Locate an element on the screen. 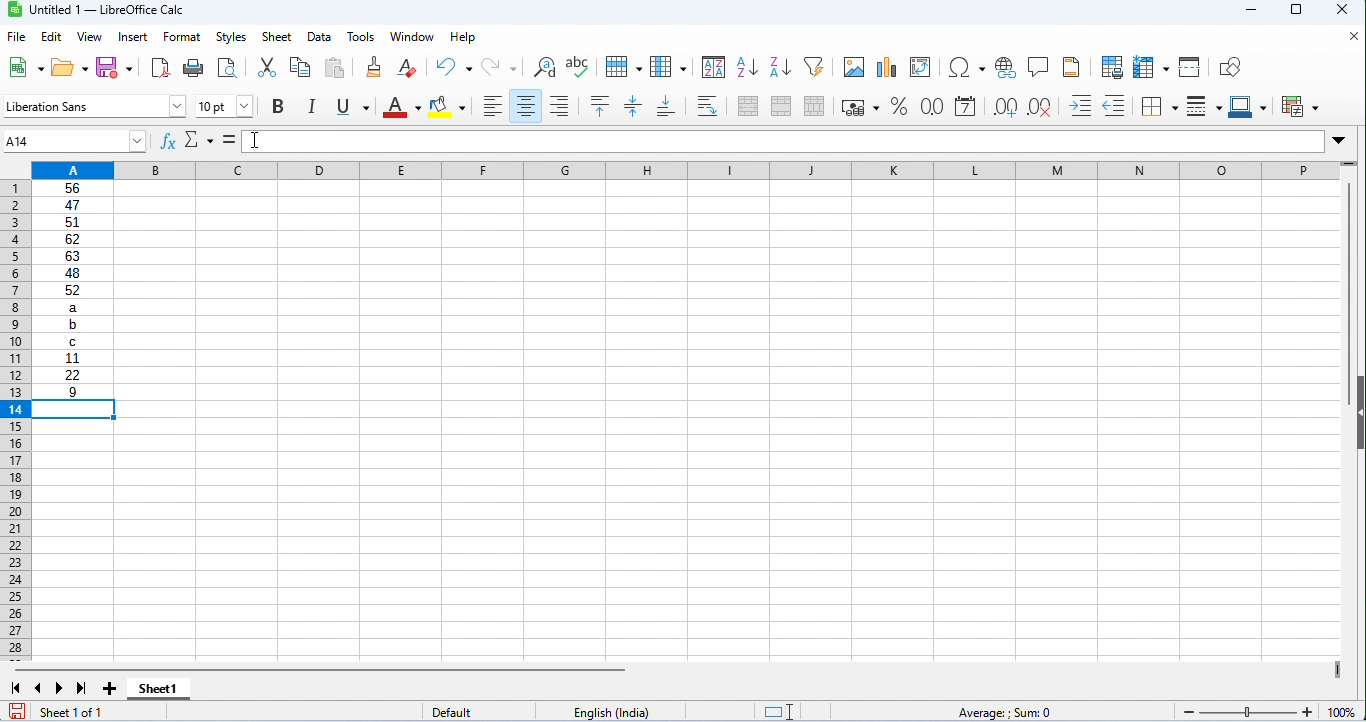  Indicates standard selection is located at coordinates (778, 712).